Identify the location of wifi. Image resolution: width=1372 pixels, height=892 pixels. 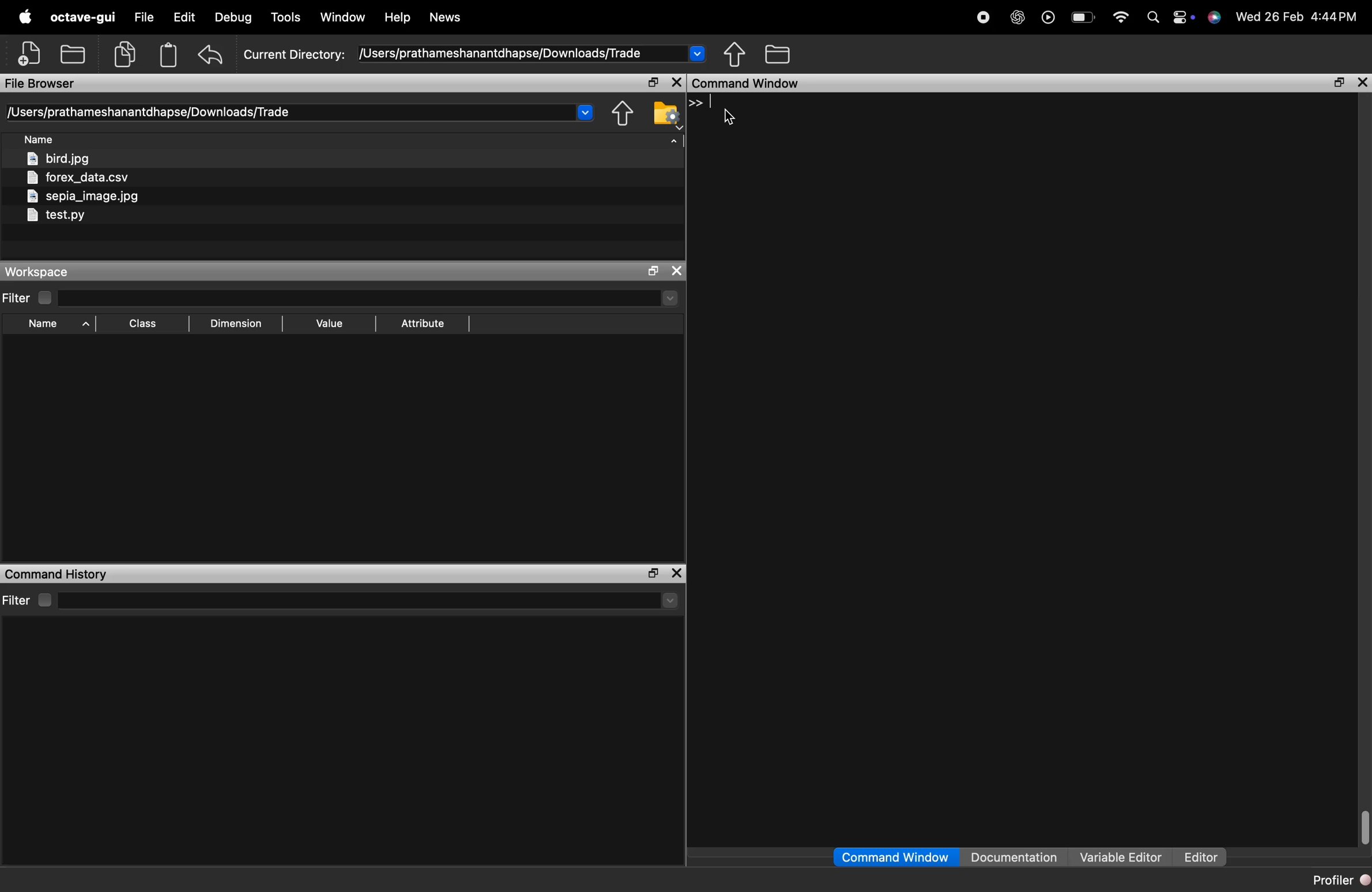
(1121, 18).